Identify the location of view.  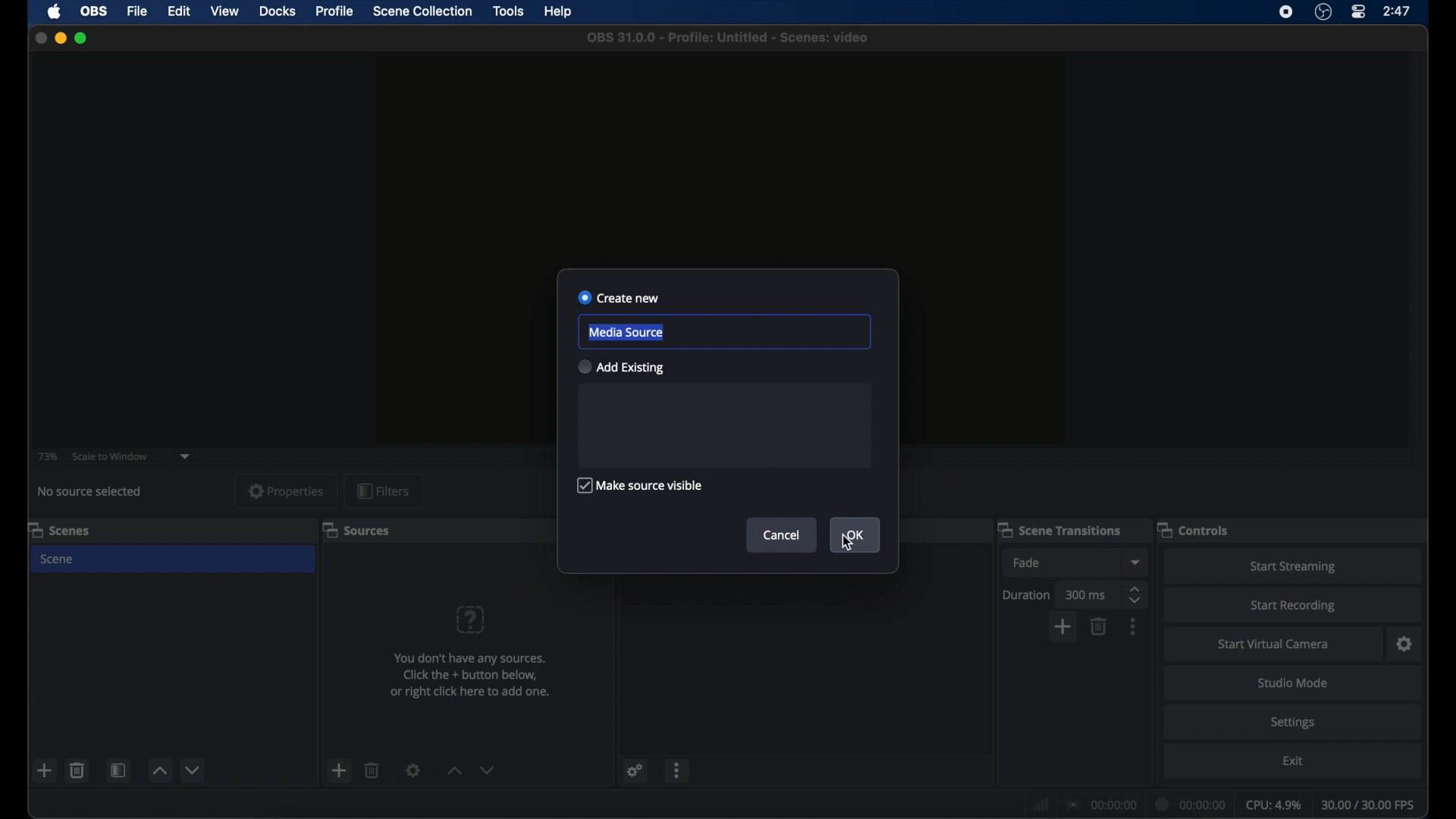
(226, 11).